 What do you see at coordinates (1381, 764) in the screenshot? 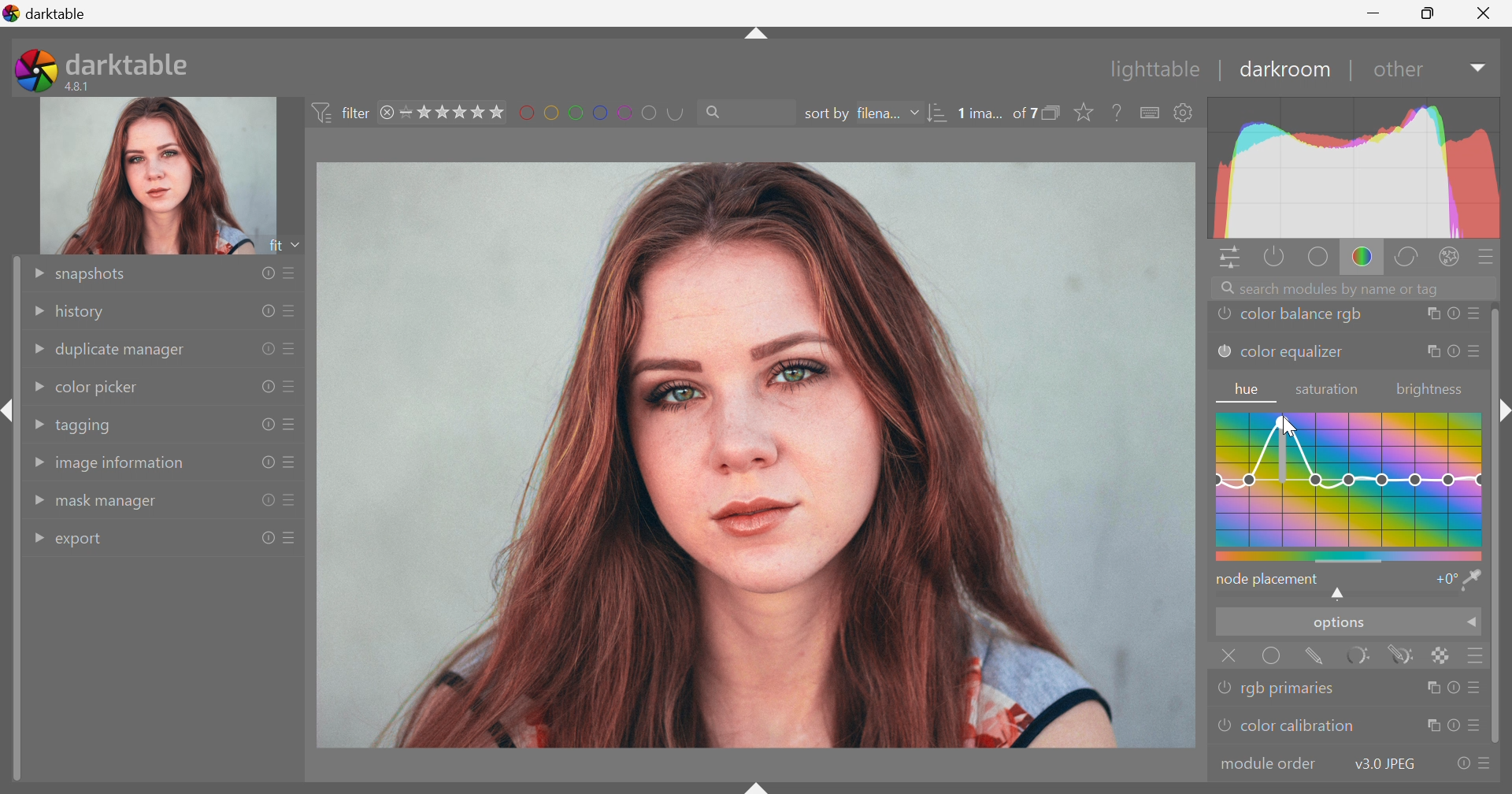
I see `v3.0 JPEG` at bounding box center [1381, 764].